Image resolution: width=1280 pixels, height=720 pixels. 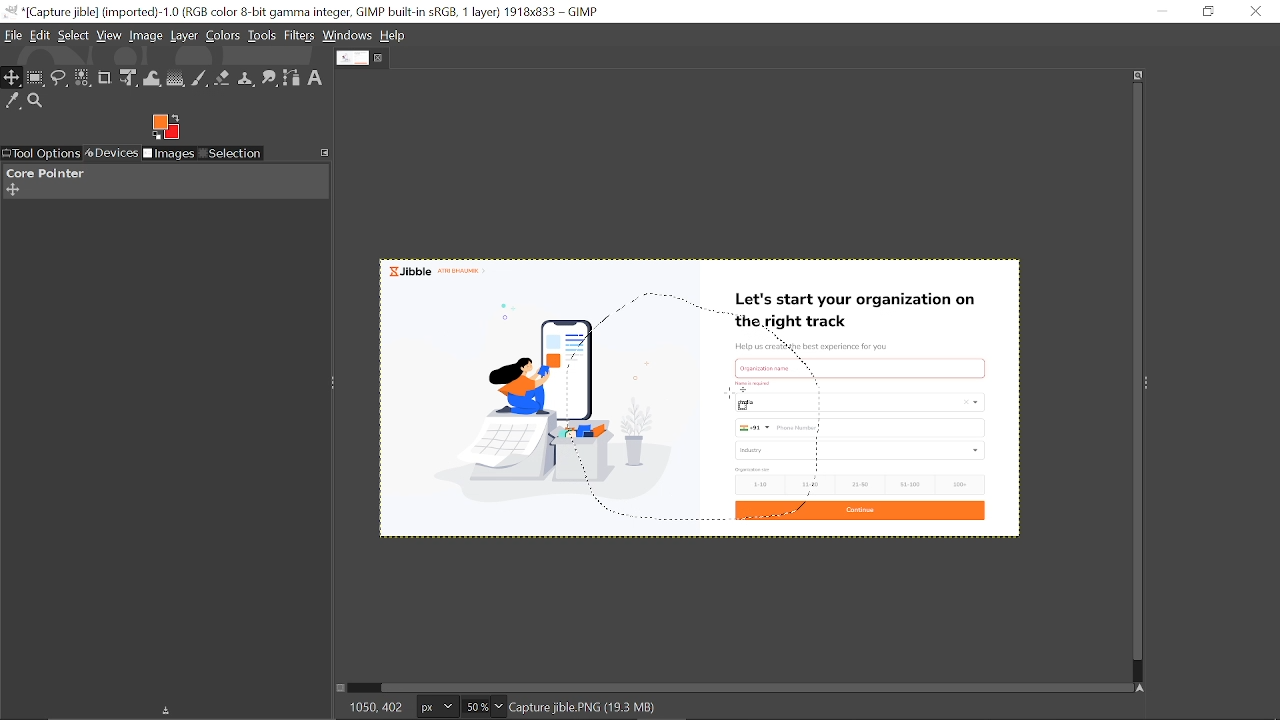 I want to click on Select, so click(x=75, y=36).